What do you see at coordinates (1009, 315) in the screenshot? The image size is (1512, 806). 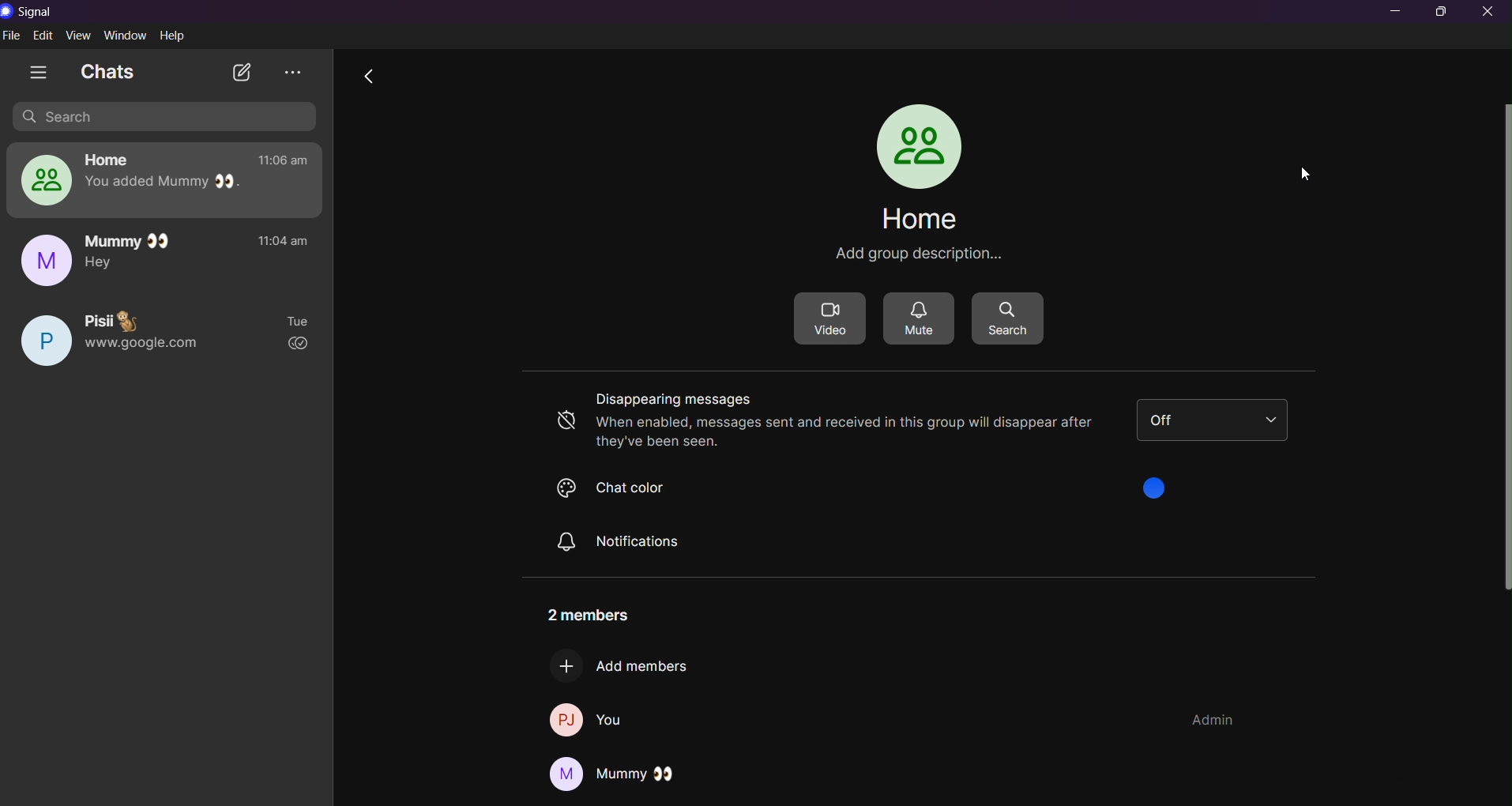 I see `search` at bounding box center [1009, 315].